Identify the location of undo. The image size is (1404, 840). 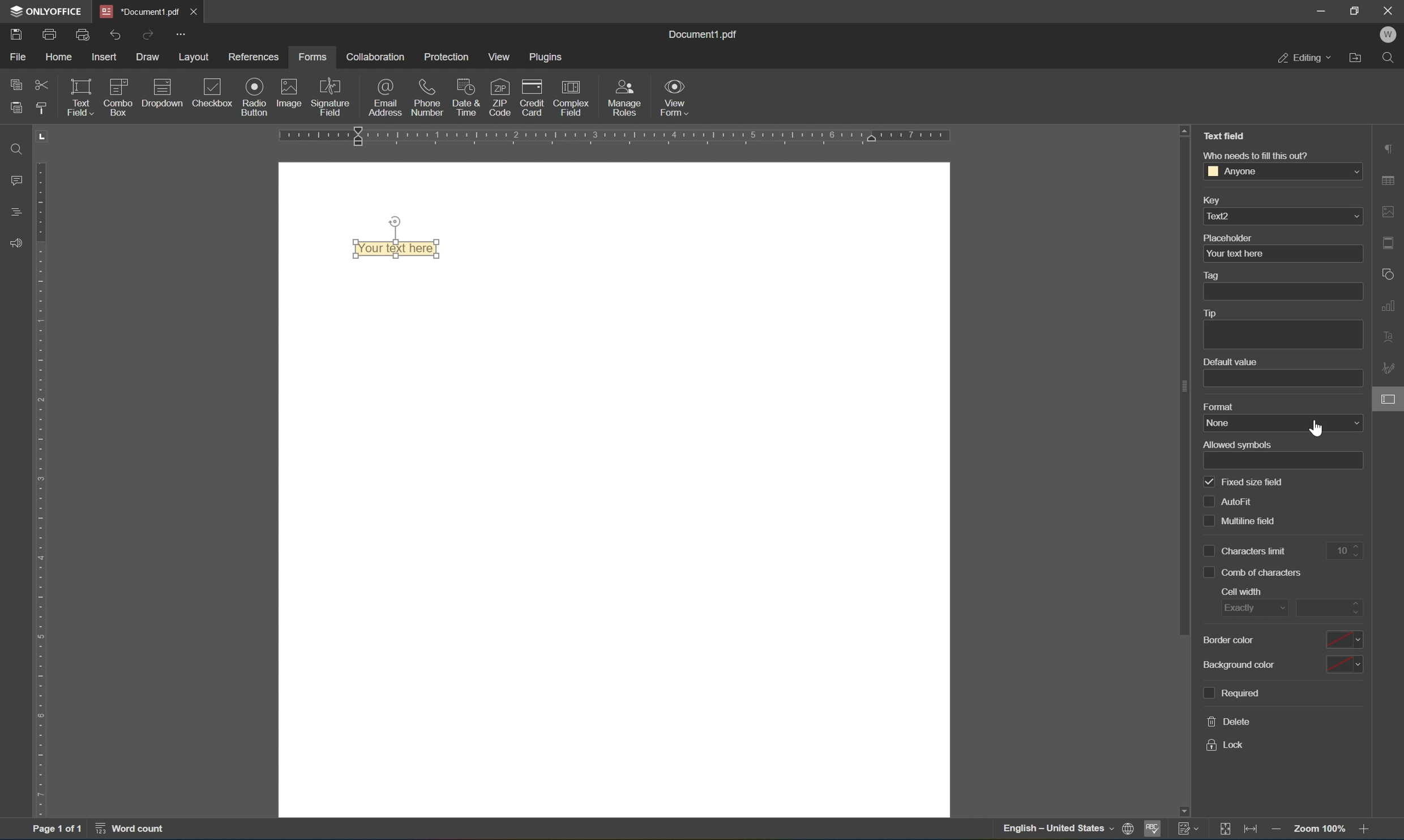
(116, 35).